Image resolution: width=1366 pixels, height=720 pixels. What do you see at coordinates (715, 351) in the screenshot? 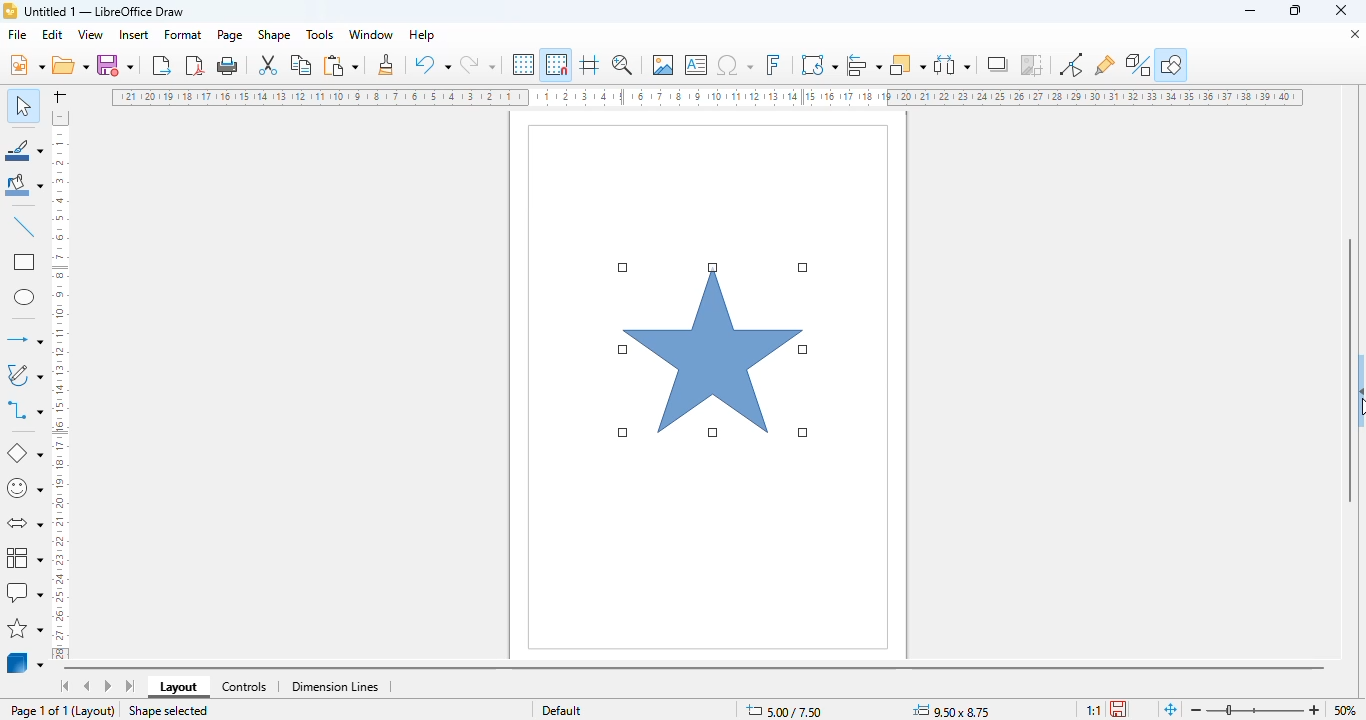
I see `star selected` at bounding box center [715, 351].